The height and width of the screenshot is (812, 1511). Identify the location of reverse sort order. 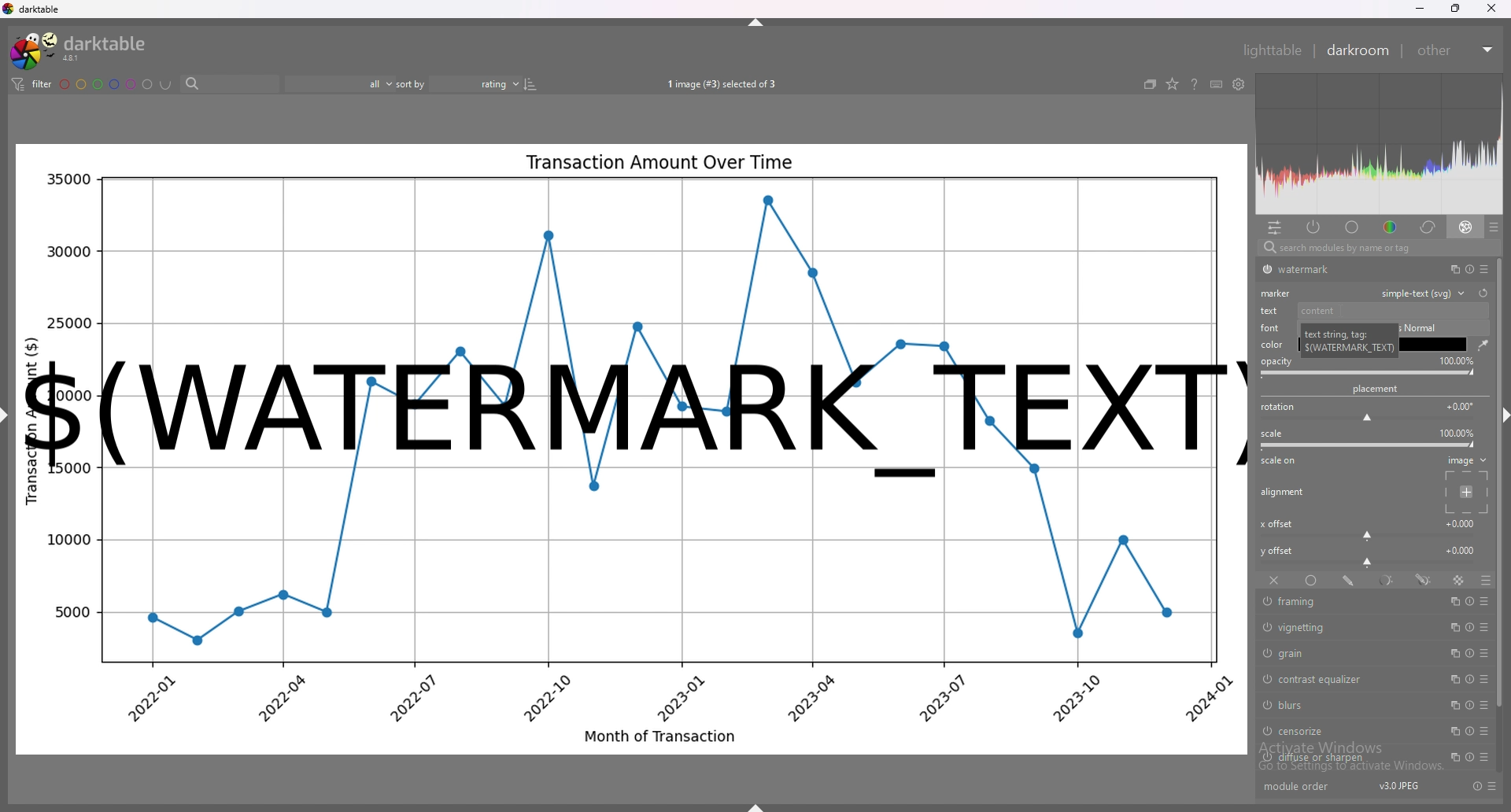
(530, 83).